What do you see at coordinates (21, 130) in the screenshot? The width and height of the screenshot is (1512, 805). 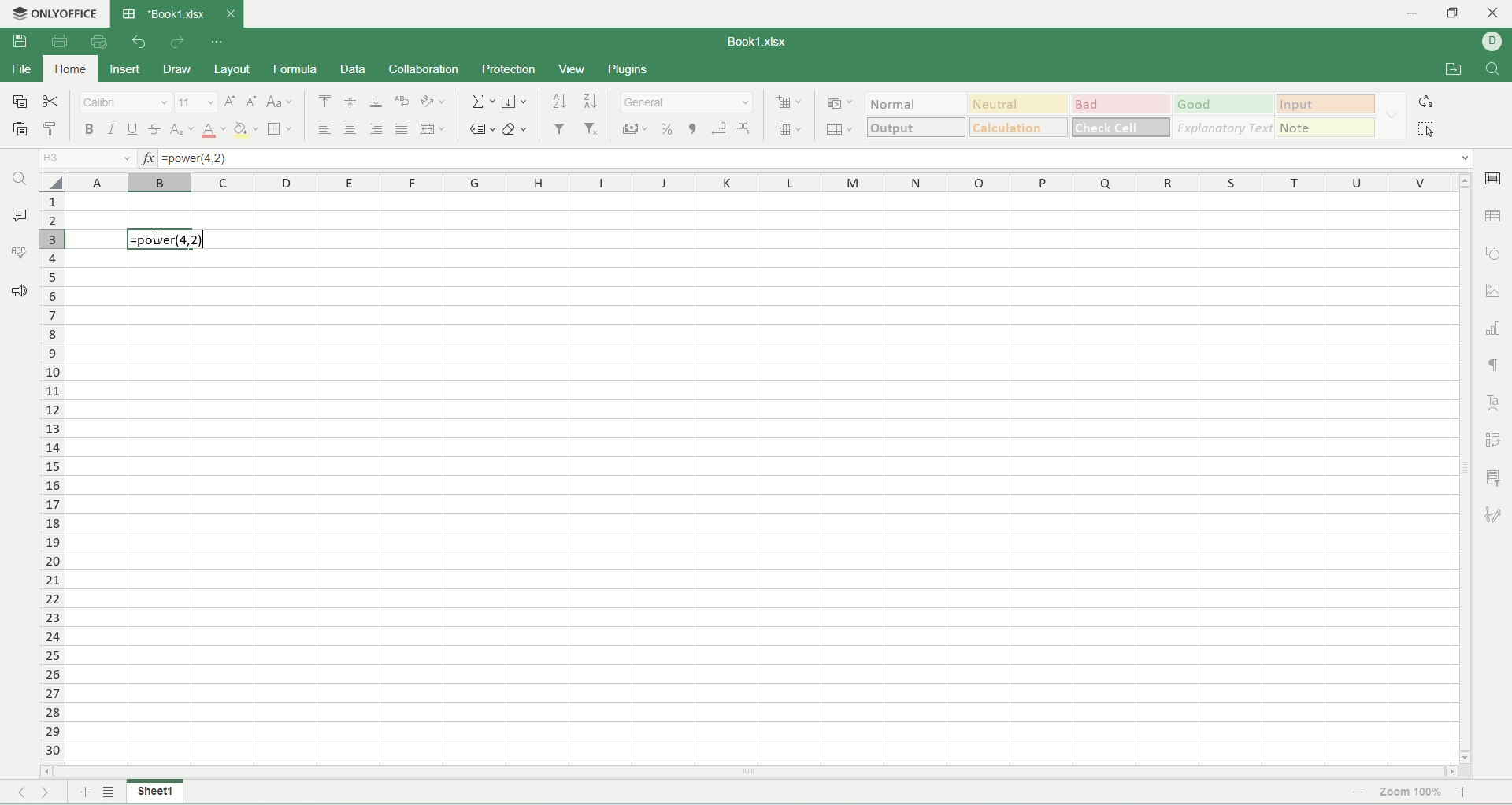 I see `paste` at bounding box center [21, 130].